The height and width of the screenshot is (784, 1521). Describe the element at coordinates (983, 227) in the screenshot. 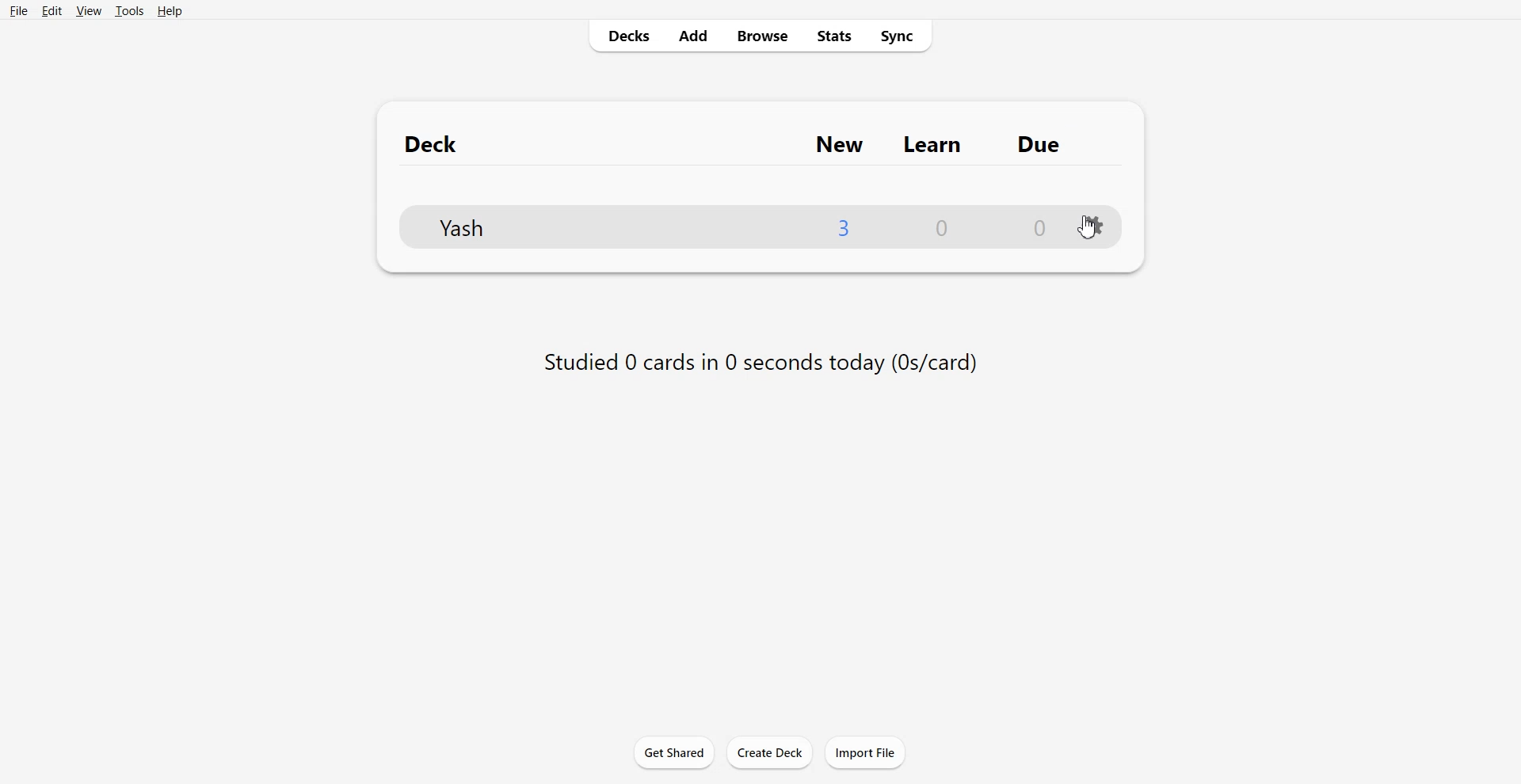

I see `0, 0` at that location.